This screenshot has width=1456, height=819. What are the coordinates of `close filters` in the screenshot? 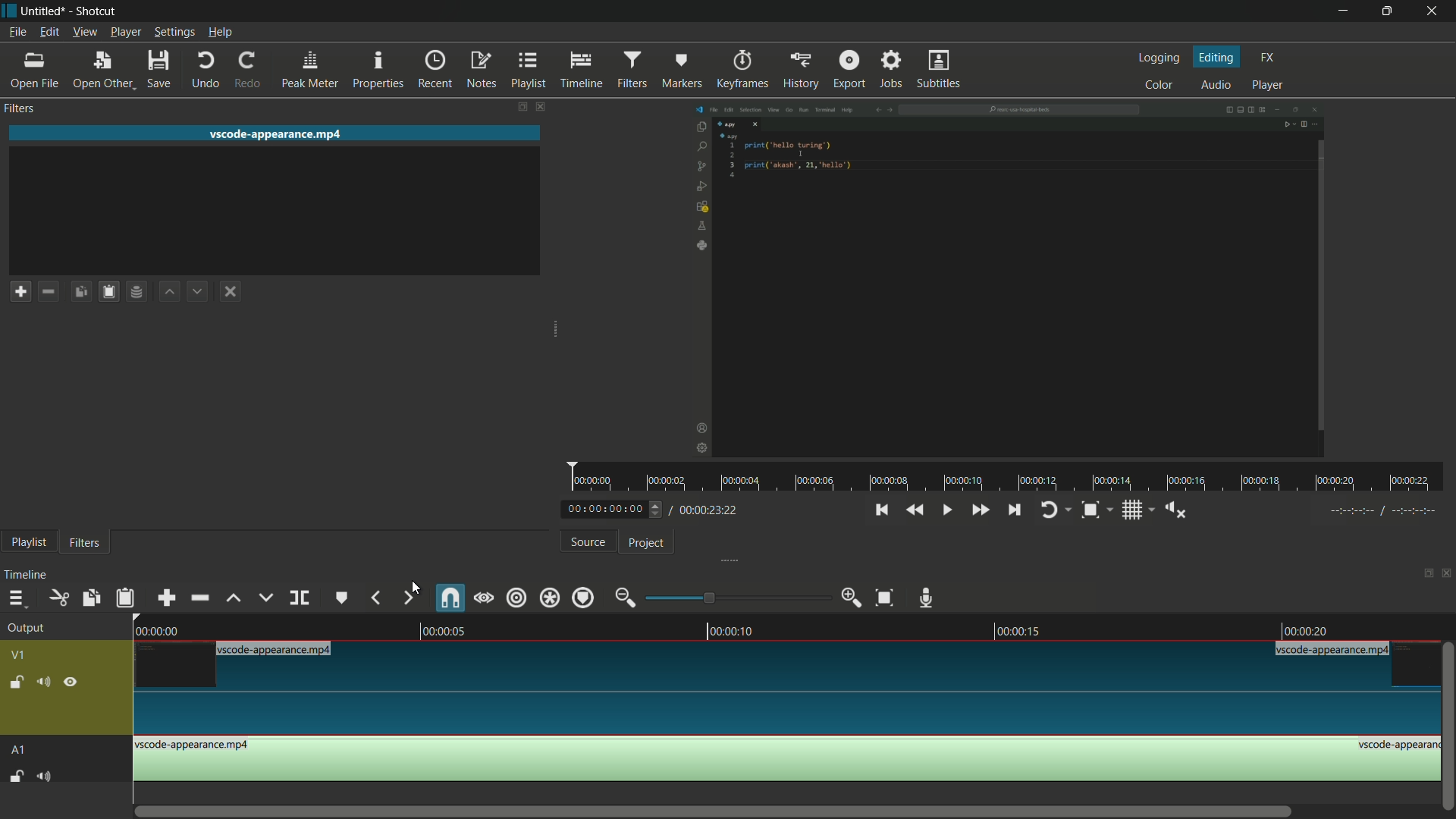 It's located at (539, 107).